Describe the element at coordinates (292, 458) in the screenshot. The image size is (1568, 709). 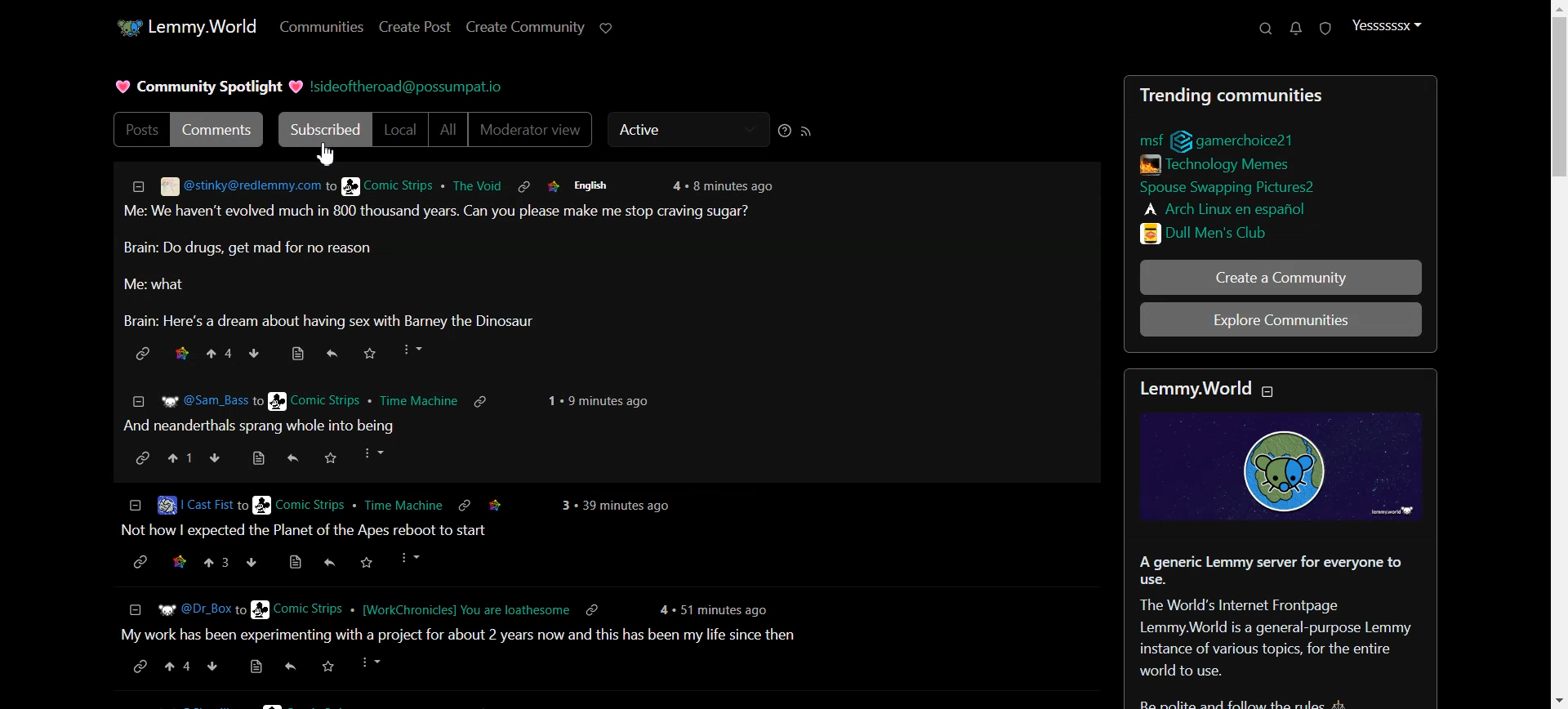
I see `share` at that location.